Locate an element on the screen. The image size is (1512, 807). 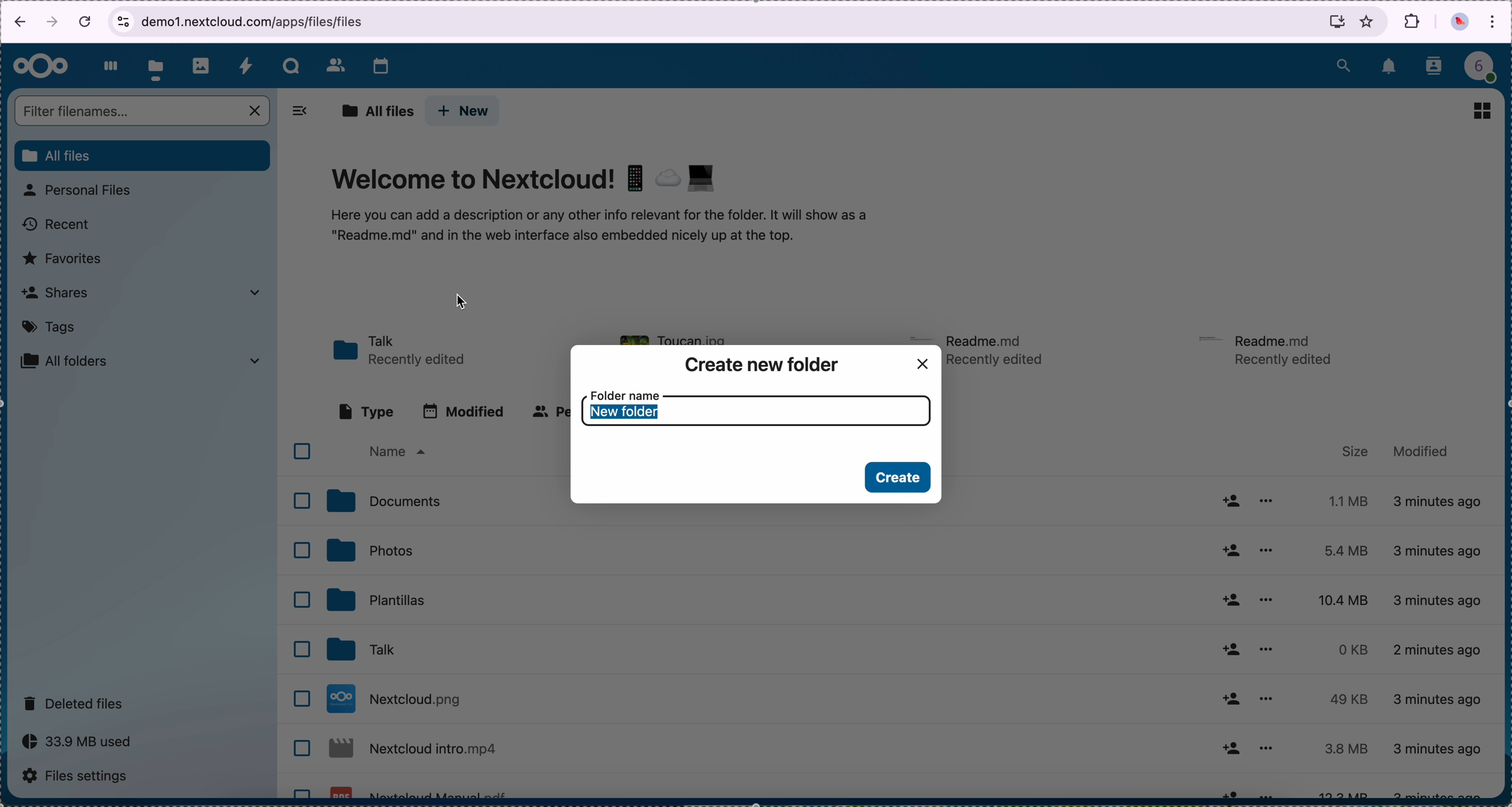
0 KB is located at coordinates (1355, 650).